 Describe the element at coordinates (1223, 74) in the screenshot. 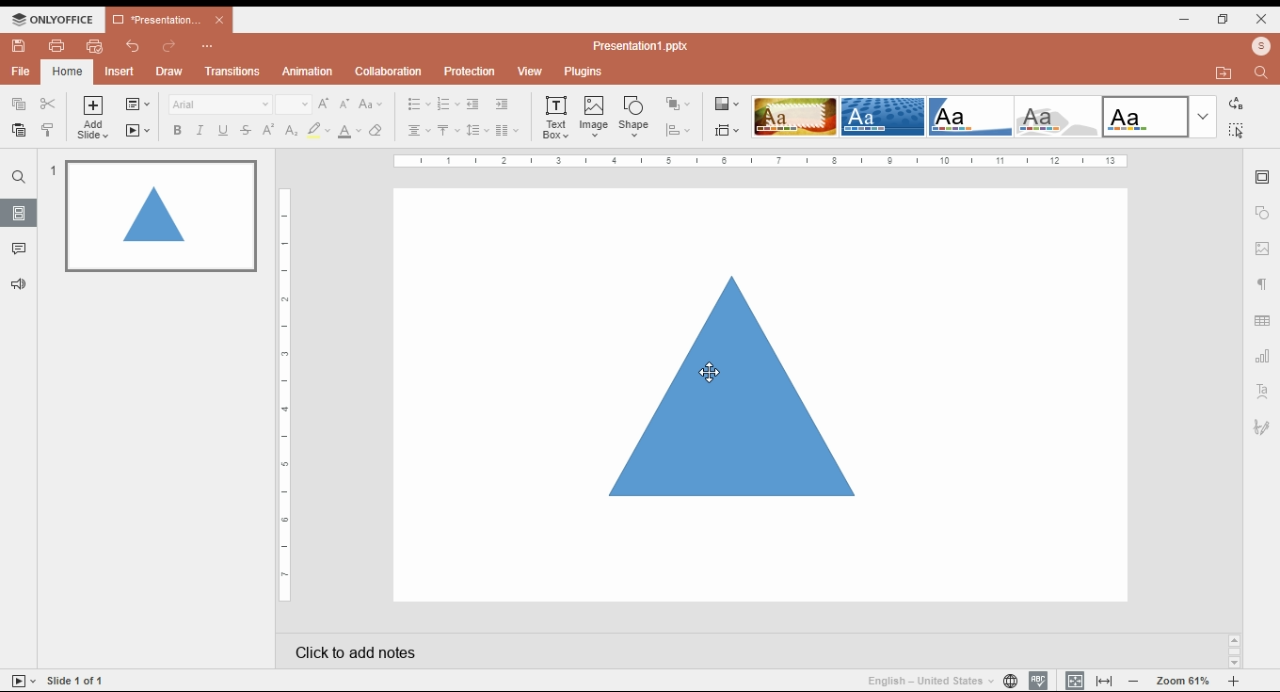

I see `open file location` at that location.